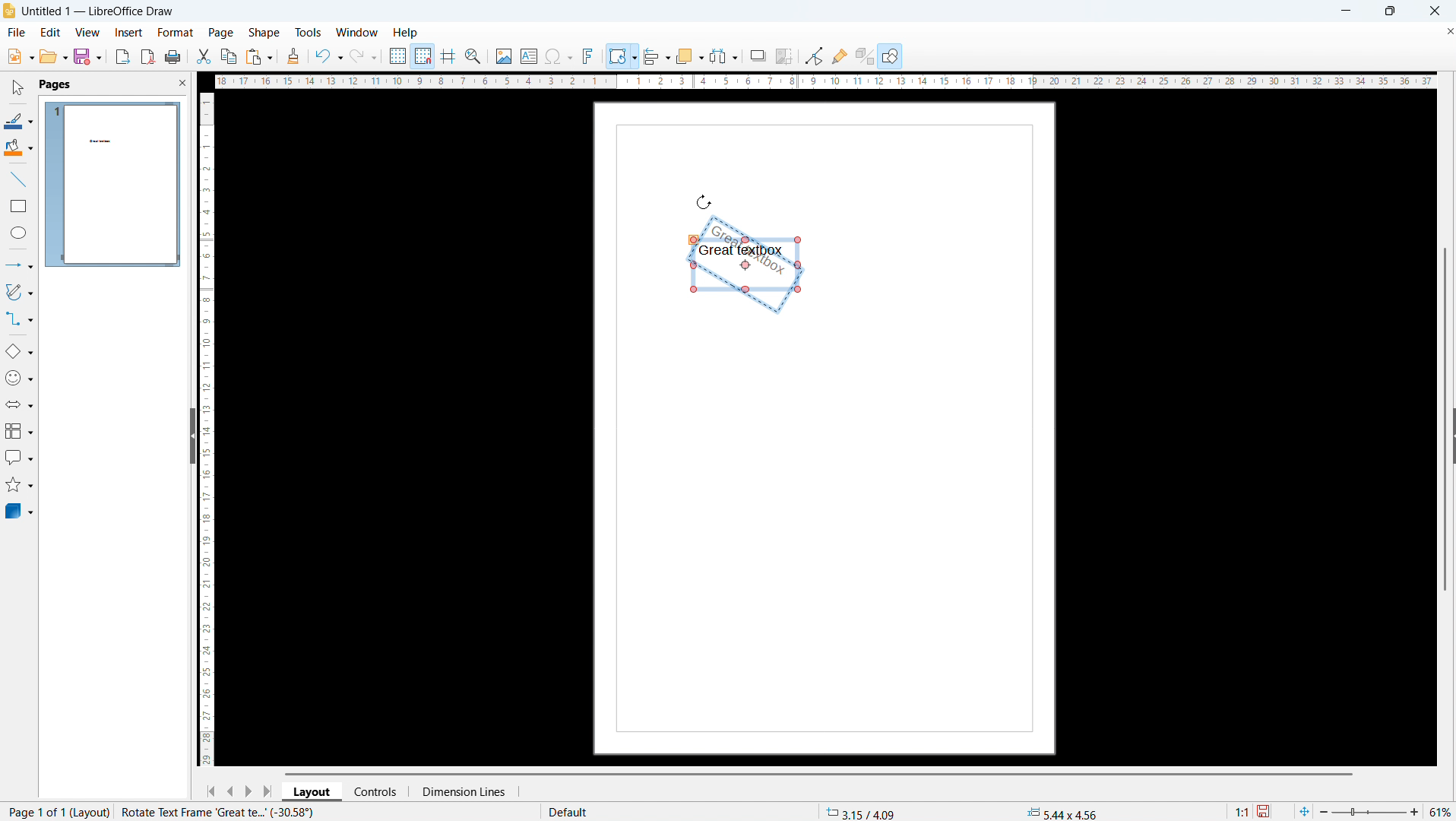  What do you see at coordinates (1265, 810) in the screenshot?
I see `save ` at bounding box center [1265, 810].